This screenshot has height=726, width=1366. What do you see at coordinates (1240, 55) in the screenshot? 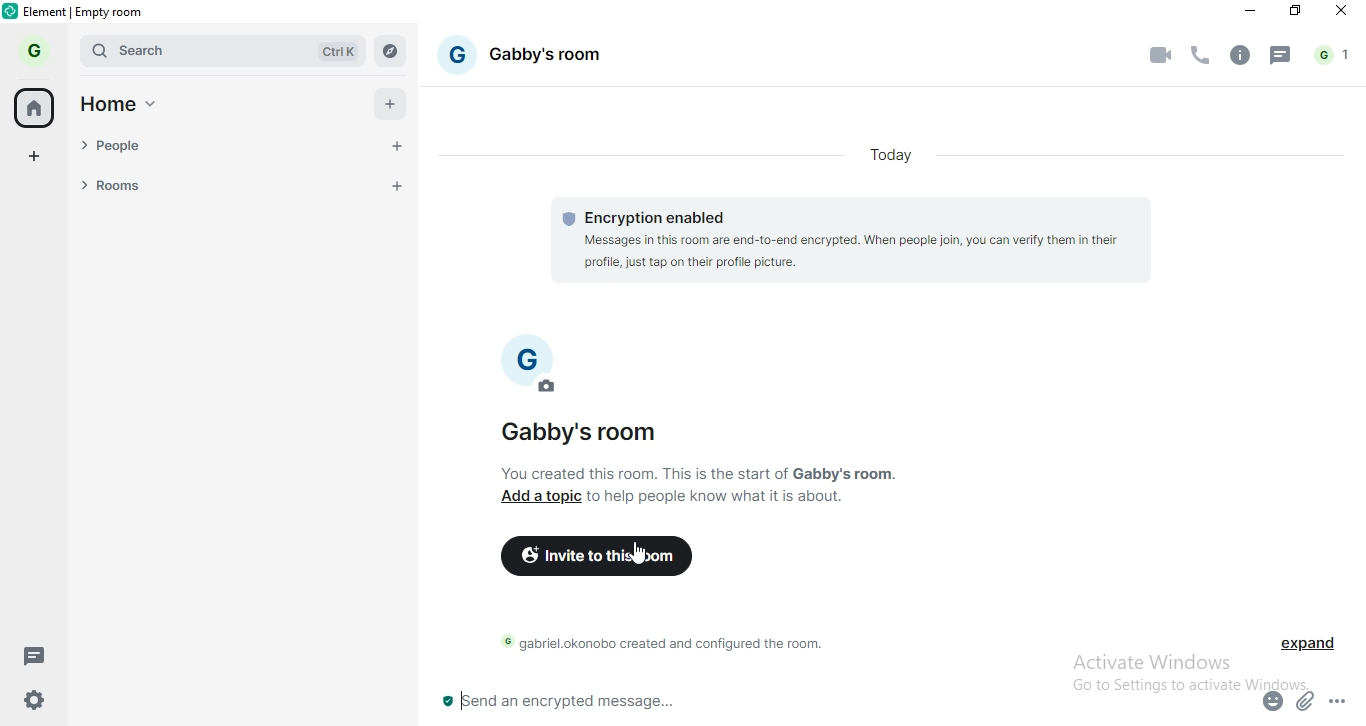
I see `info` at bounding box center [1240, 55].